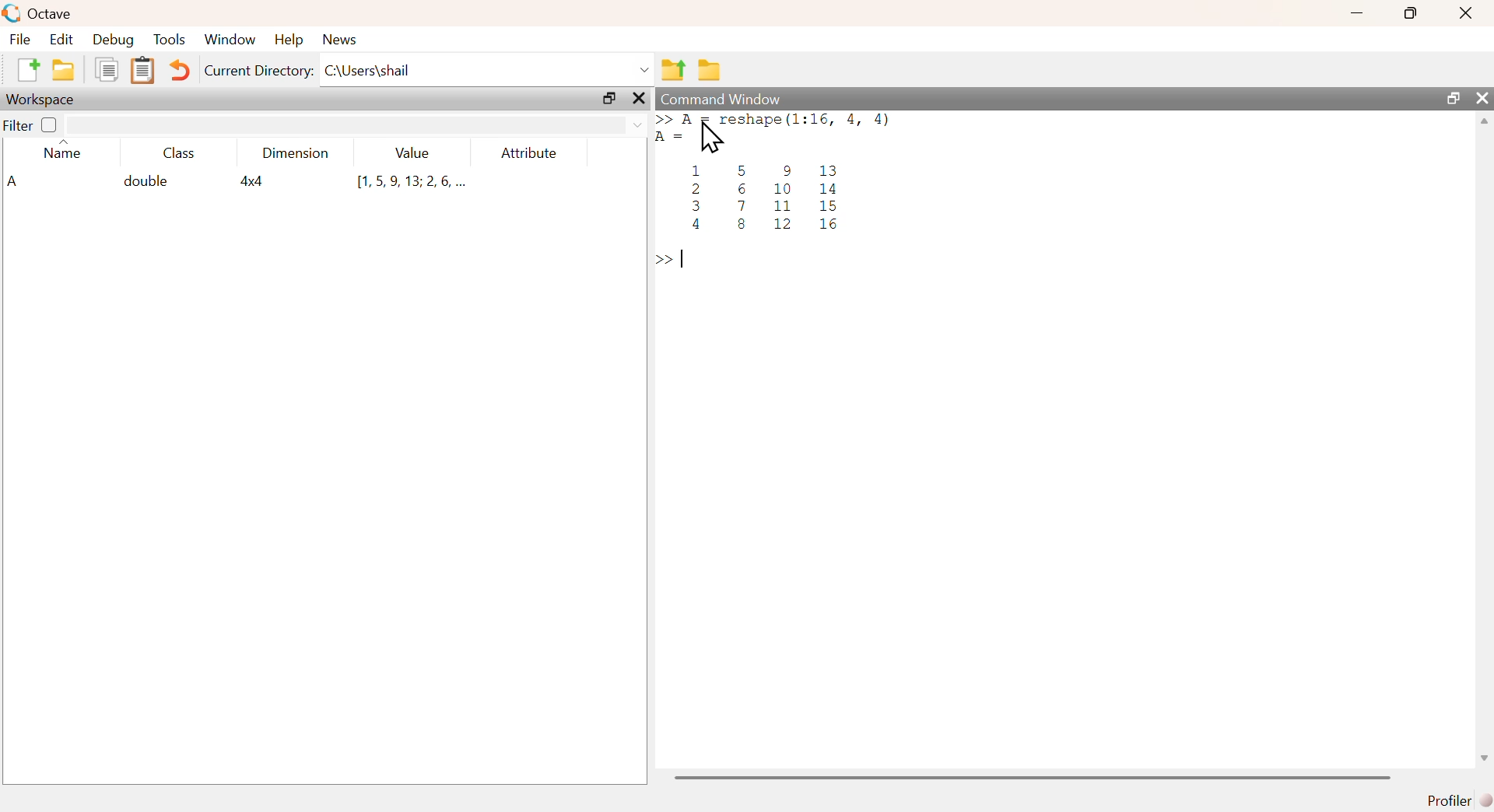 This screenshot has width=1494, height=812. What do you see at coordinates (414, 154) in the screenshot?
I see `value` at bounding box center [414, 154].